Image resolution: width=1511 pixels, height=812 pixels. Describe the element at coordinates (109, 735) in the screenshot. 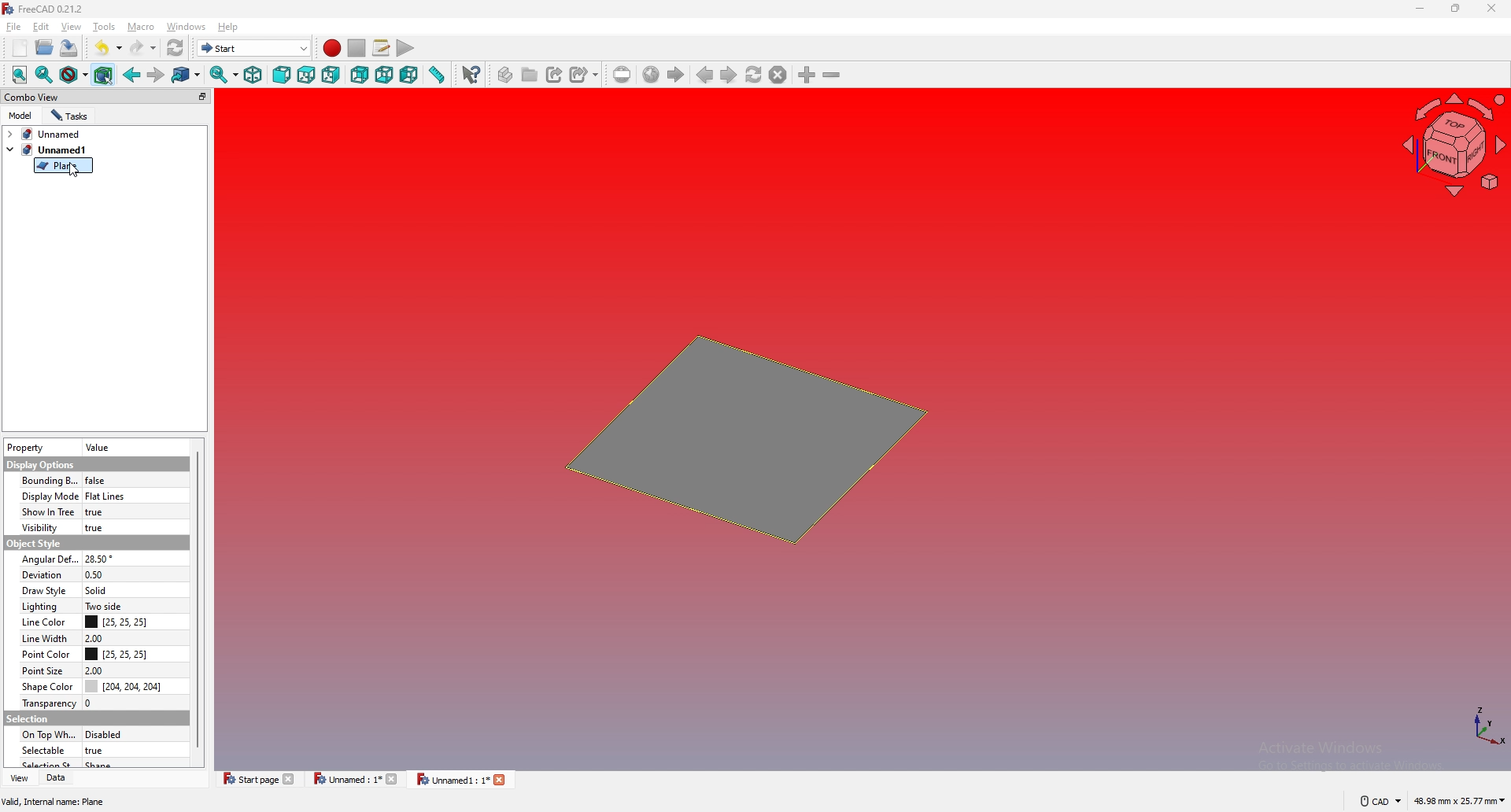

I see `disabled` at that location.